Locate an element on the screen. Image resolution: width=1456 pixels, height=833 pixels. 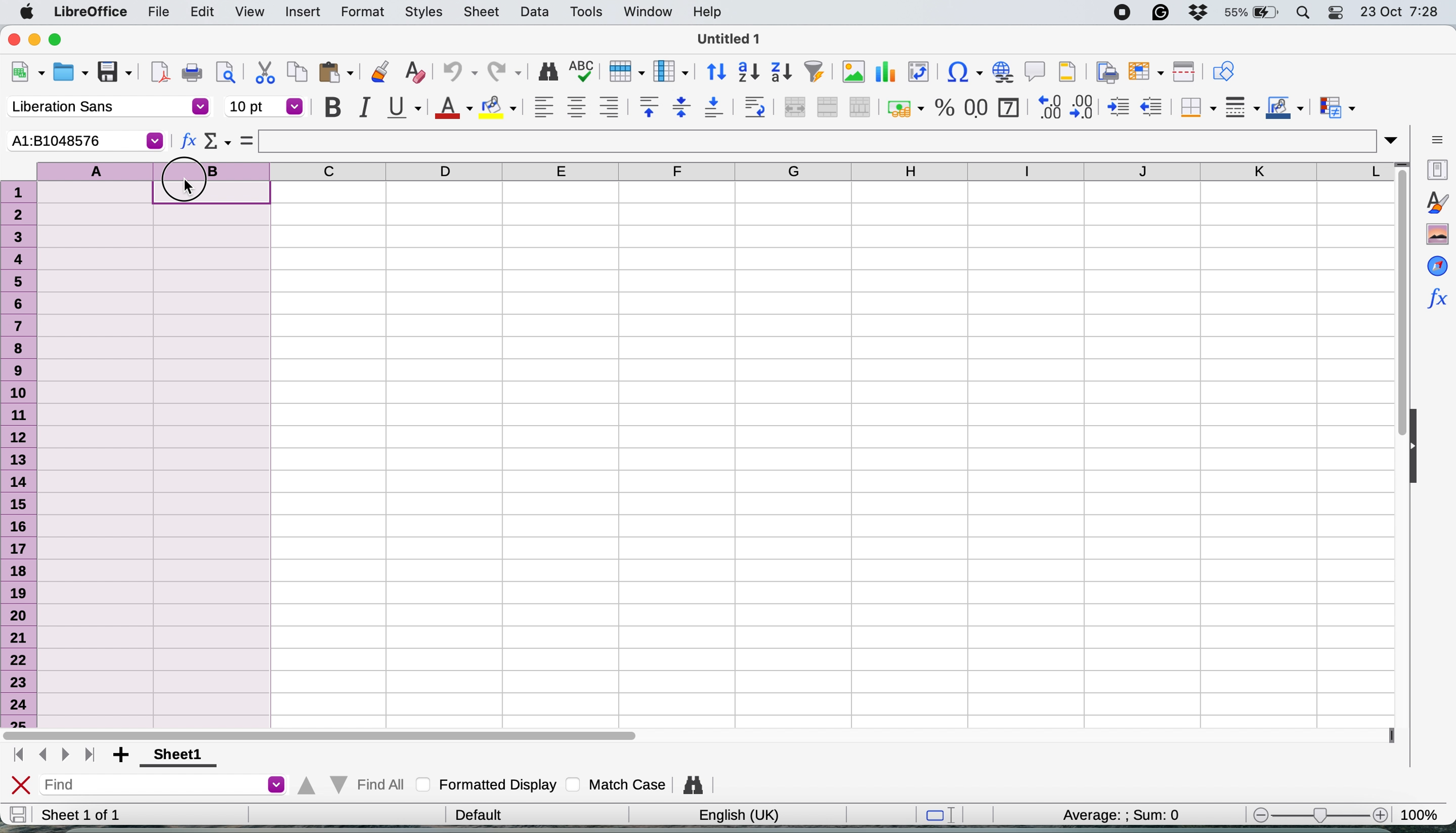
save is located at coordinates (116, 72).